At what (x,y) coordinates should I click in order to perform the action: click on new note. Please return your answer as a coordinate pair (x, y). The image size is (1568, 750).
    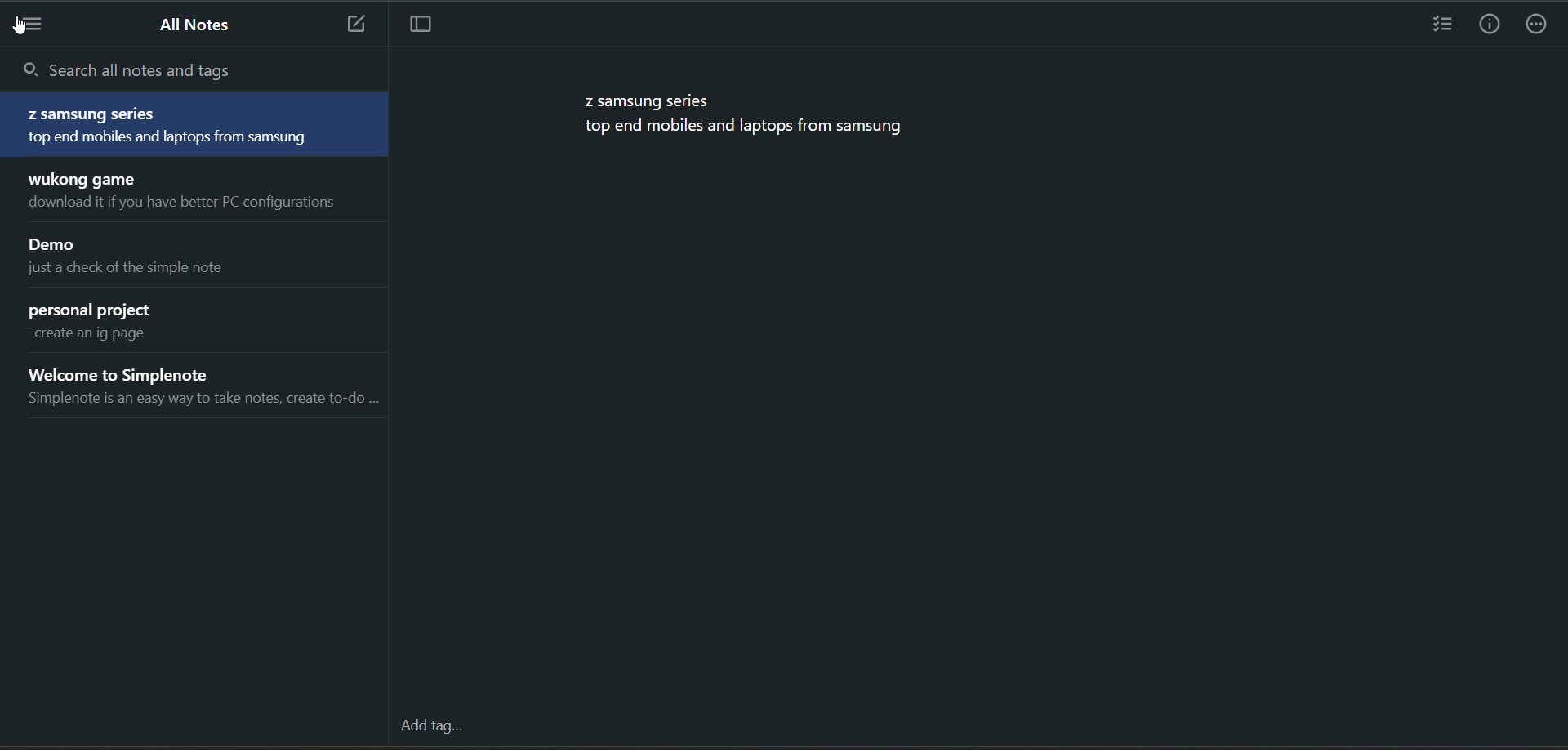
    Looking at the image, I should click on (353, 24).